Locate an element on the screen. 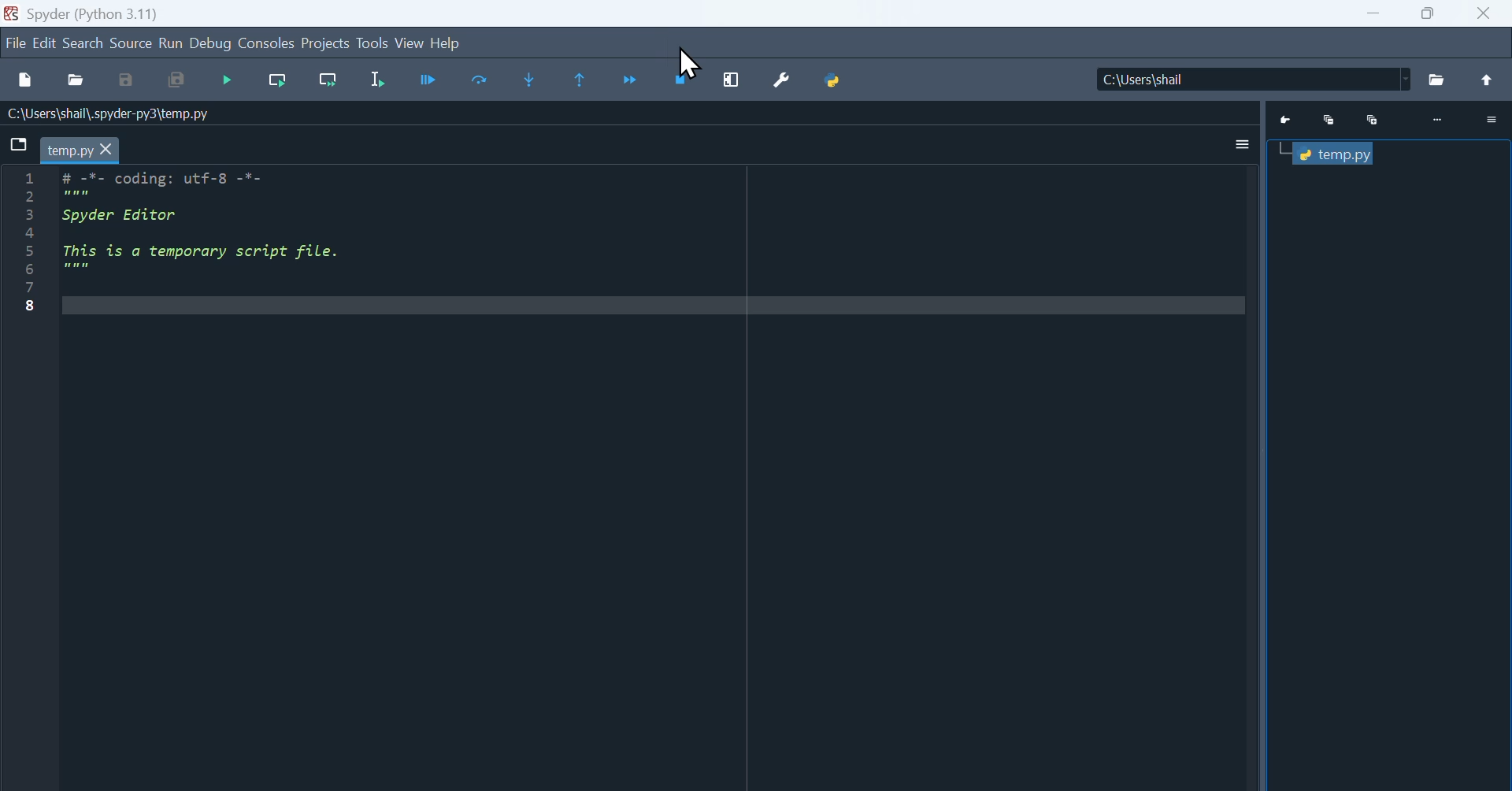 This screenshot has height=791, width=1512. cursor is located at coordinates (106, 150).